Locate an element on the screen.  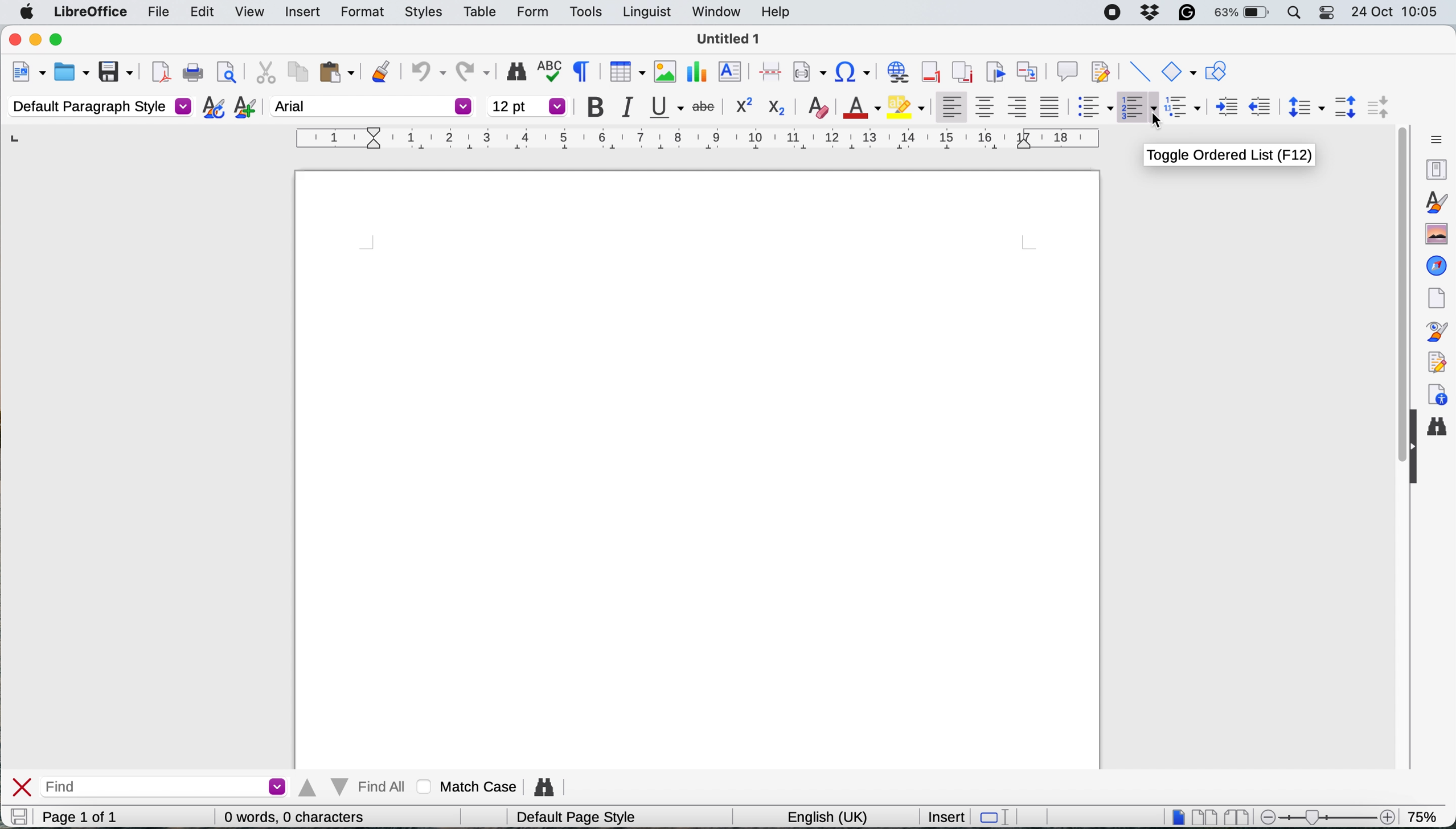
insert is located at coordinates (942, 816).